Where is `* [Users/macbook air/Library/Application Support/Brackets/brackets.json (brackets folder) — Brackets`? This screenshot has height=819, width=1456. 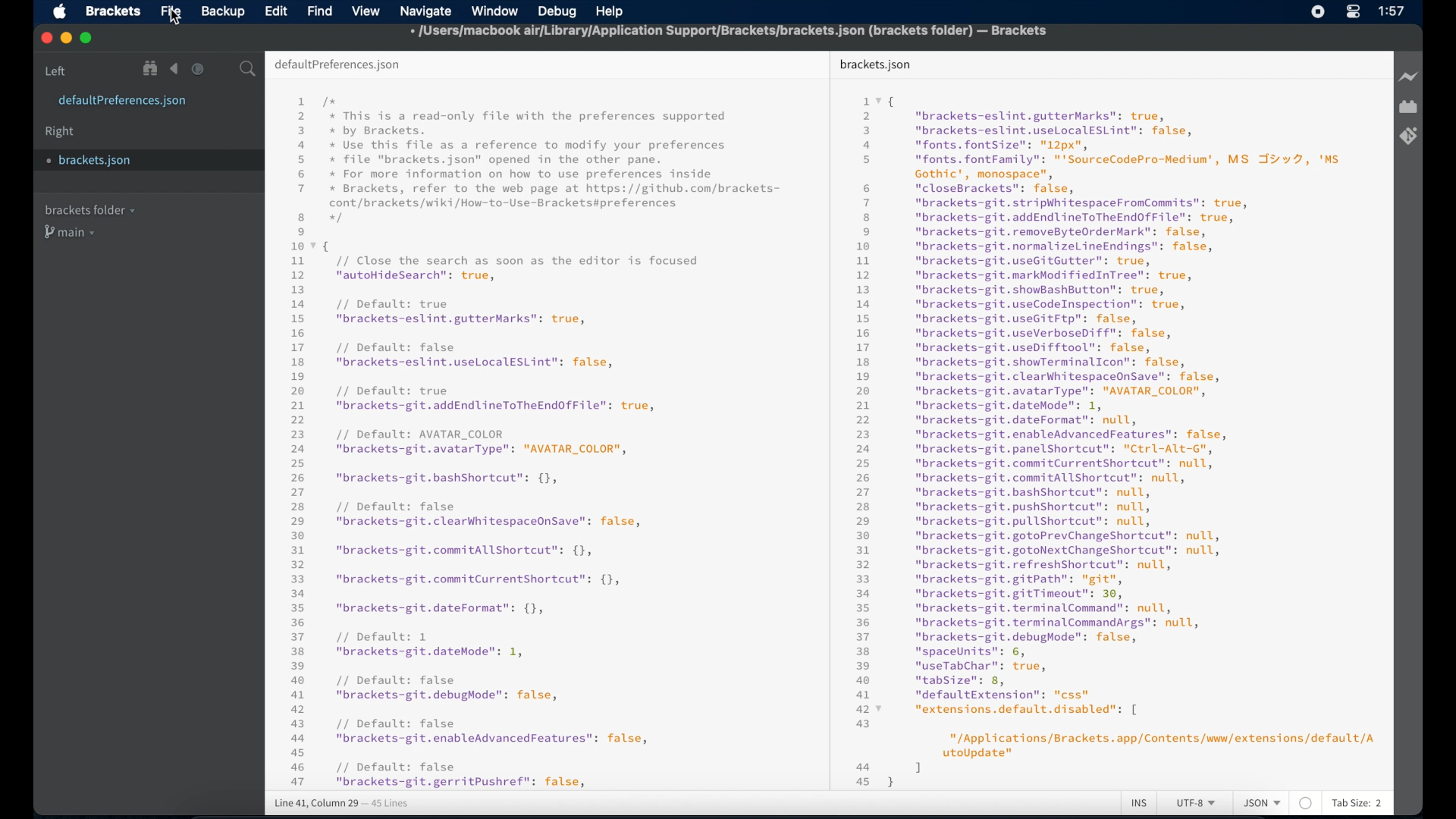 * [Users/macbook air/Library/Application Support/Brackets/brackets.json (brackets folder) — Brackets is located at coordinates (732, 32).